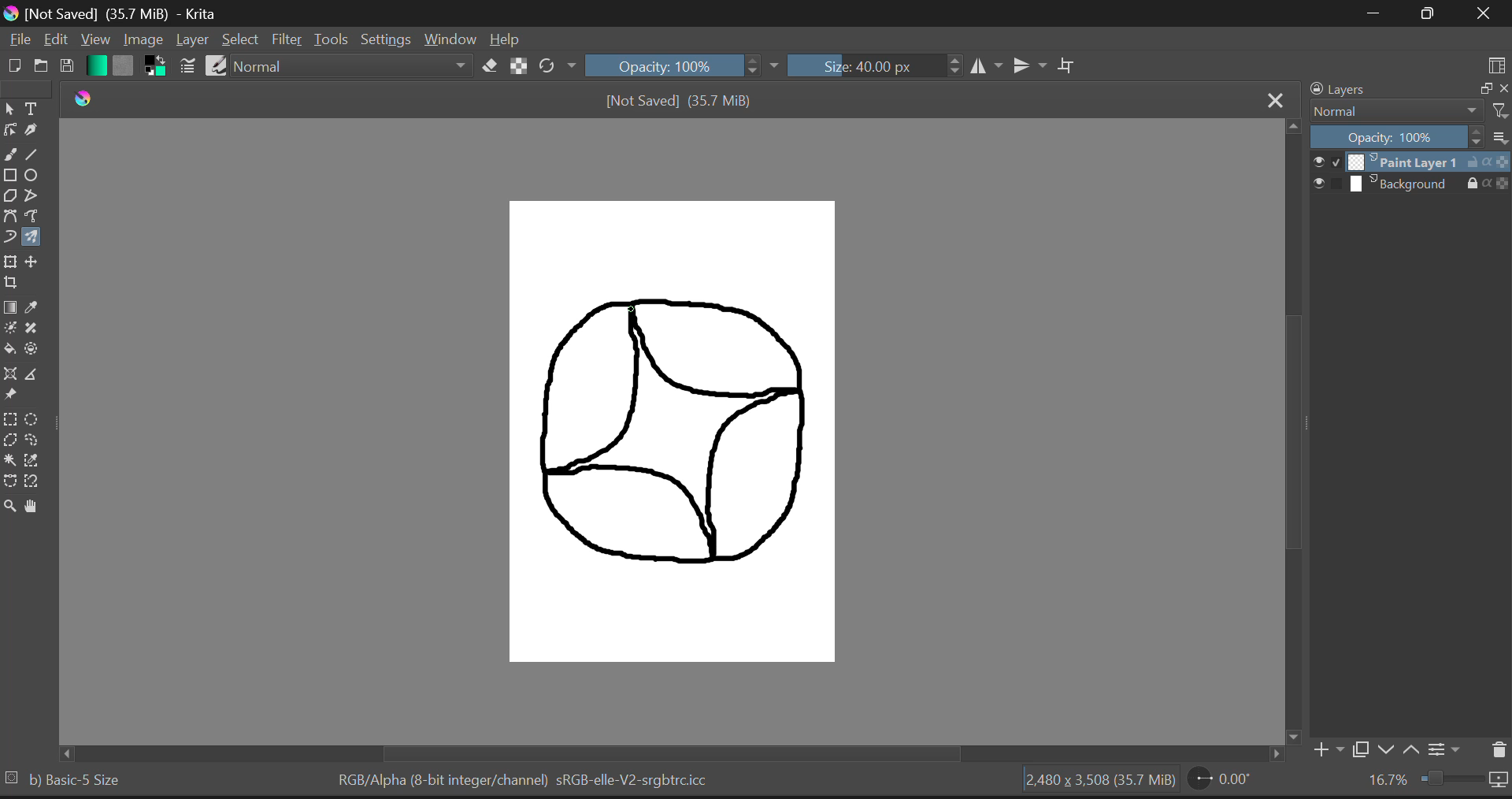  I want to click on Bezier Curve Selection, so click(9, 482).